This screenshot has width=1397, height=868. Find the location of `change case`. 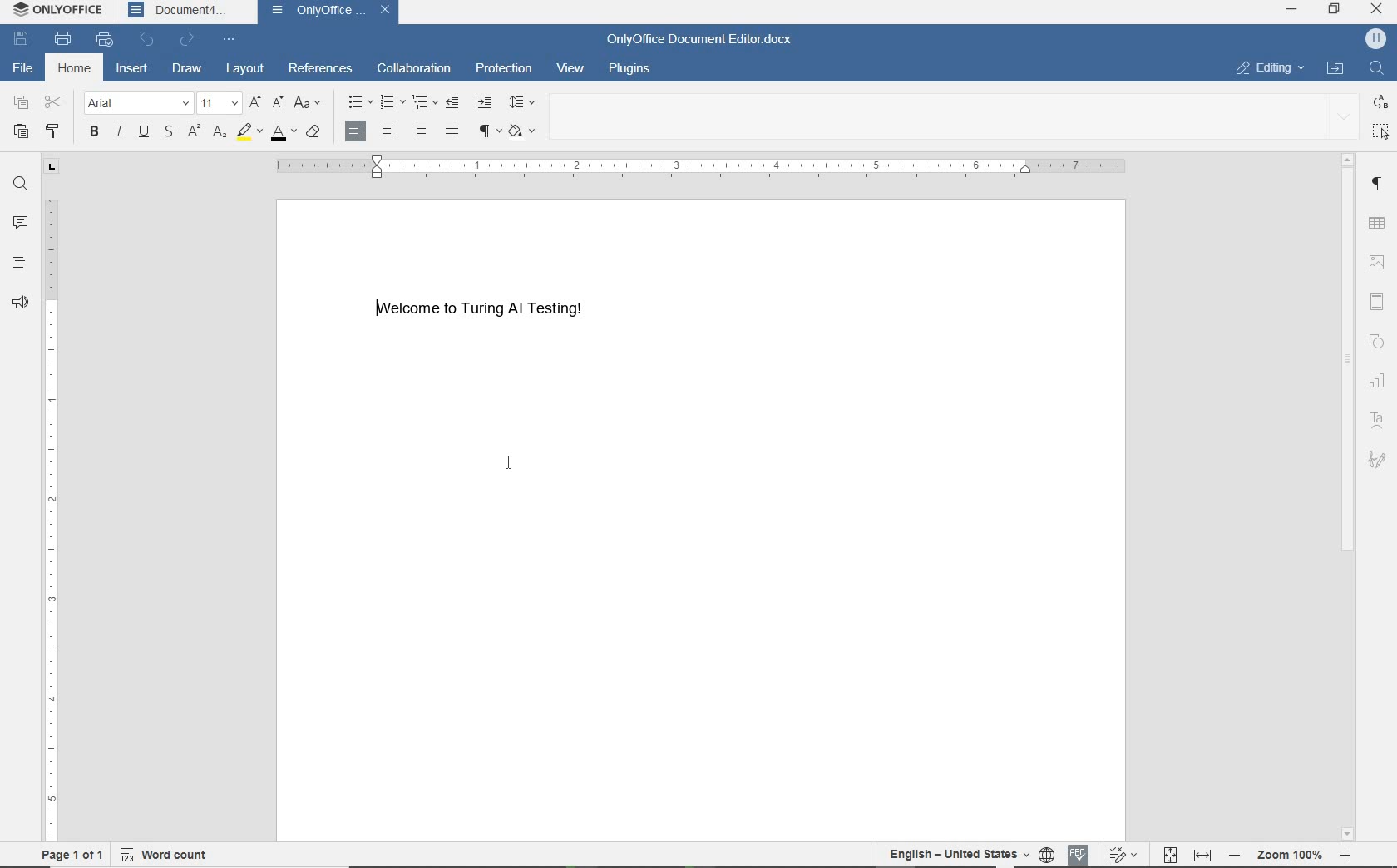

change case is located at coordinates (313, 103).